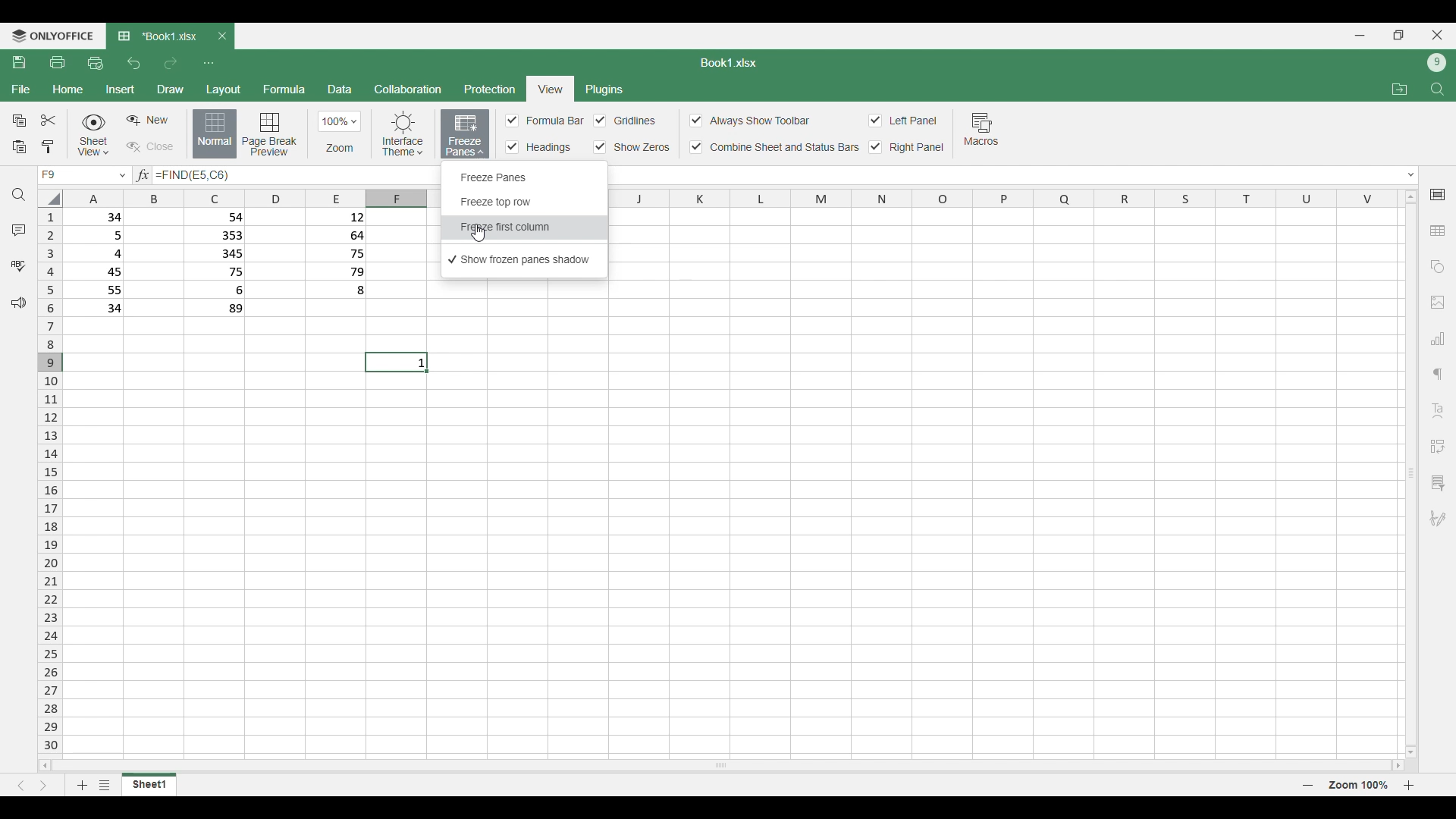 This screenshot has width=1456, height=819. What do you see at coordinates (1359, 785) in the screenshot?
I see `Current zoom factor` at bounding box center [1359, 785].